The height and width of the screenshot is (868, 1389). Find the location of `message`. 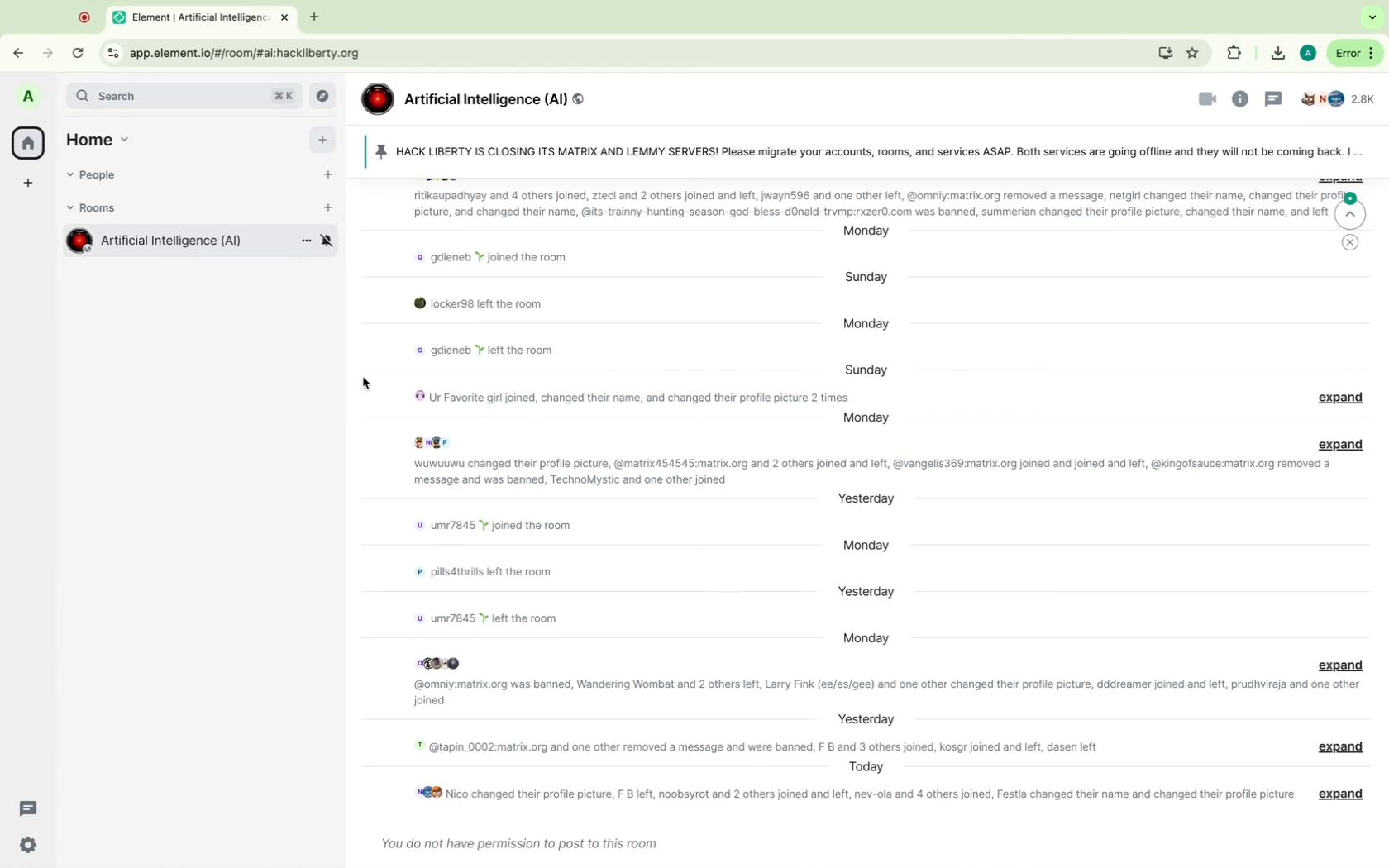

message is located at coordinates (1339, 794).